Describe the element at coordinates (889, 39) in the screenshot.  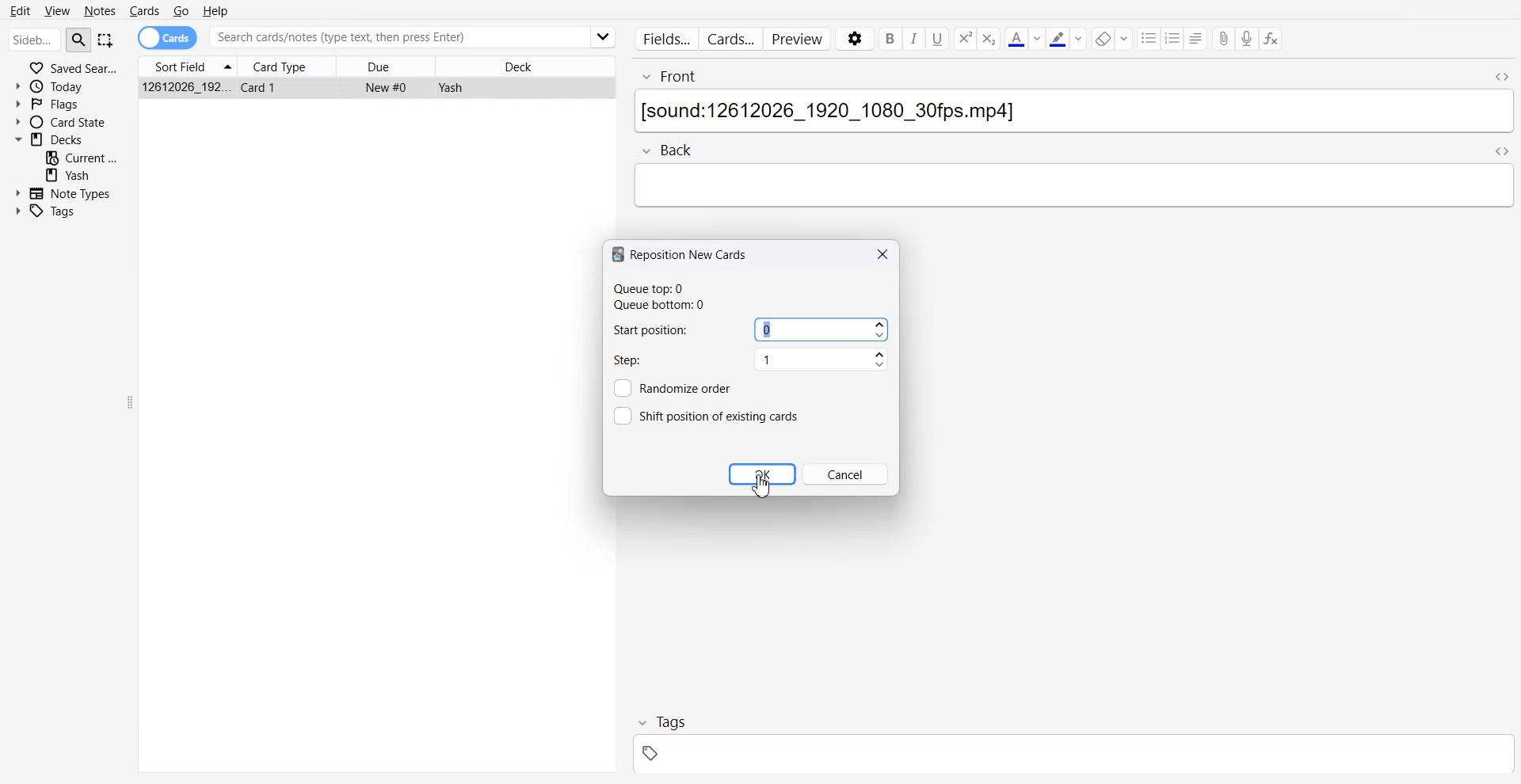
I see `Bold` at that location.